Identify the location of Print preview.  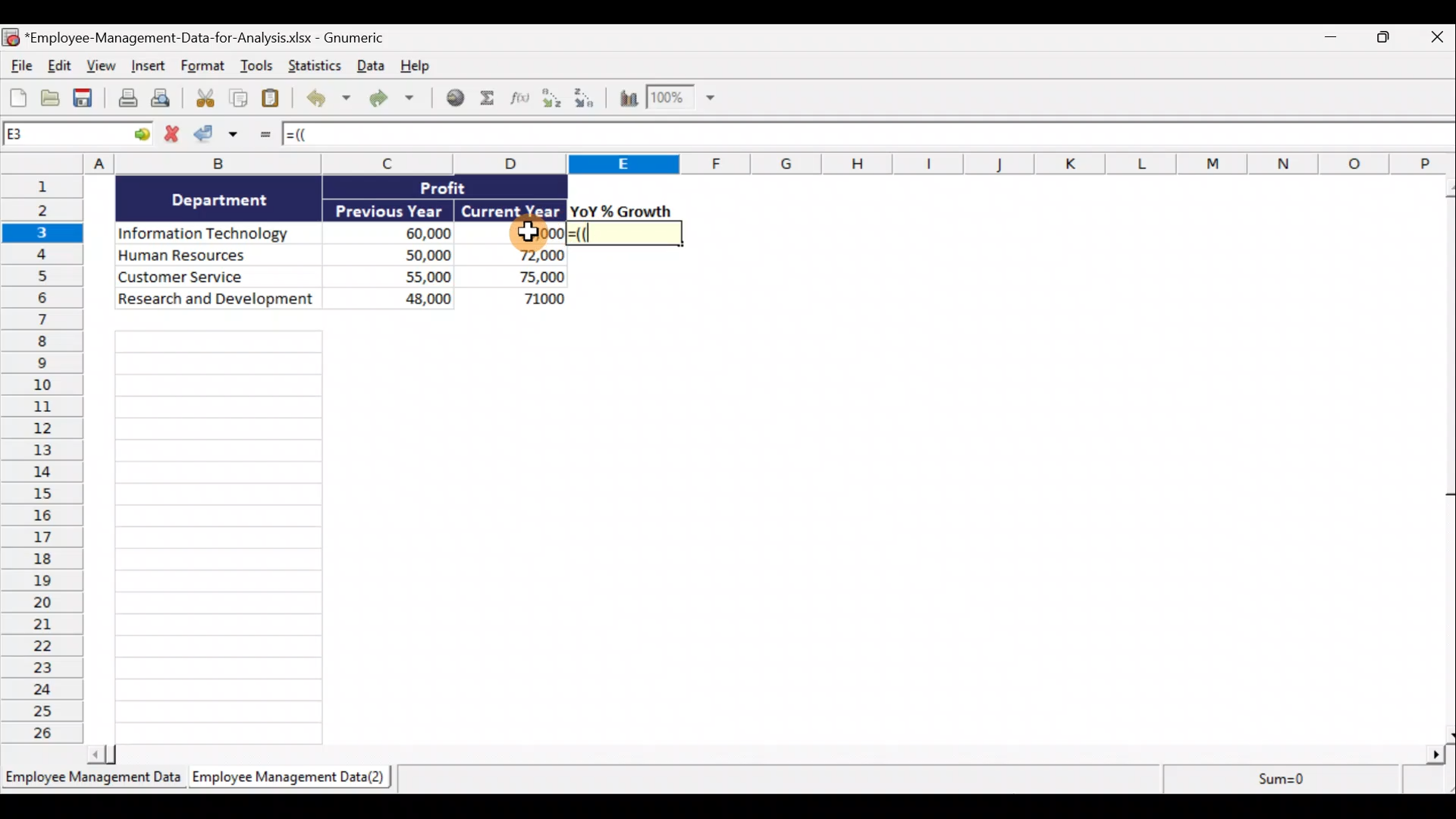
(162, 99).